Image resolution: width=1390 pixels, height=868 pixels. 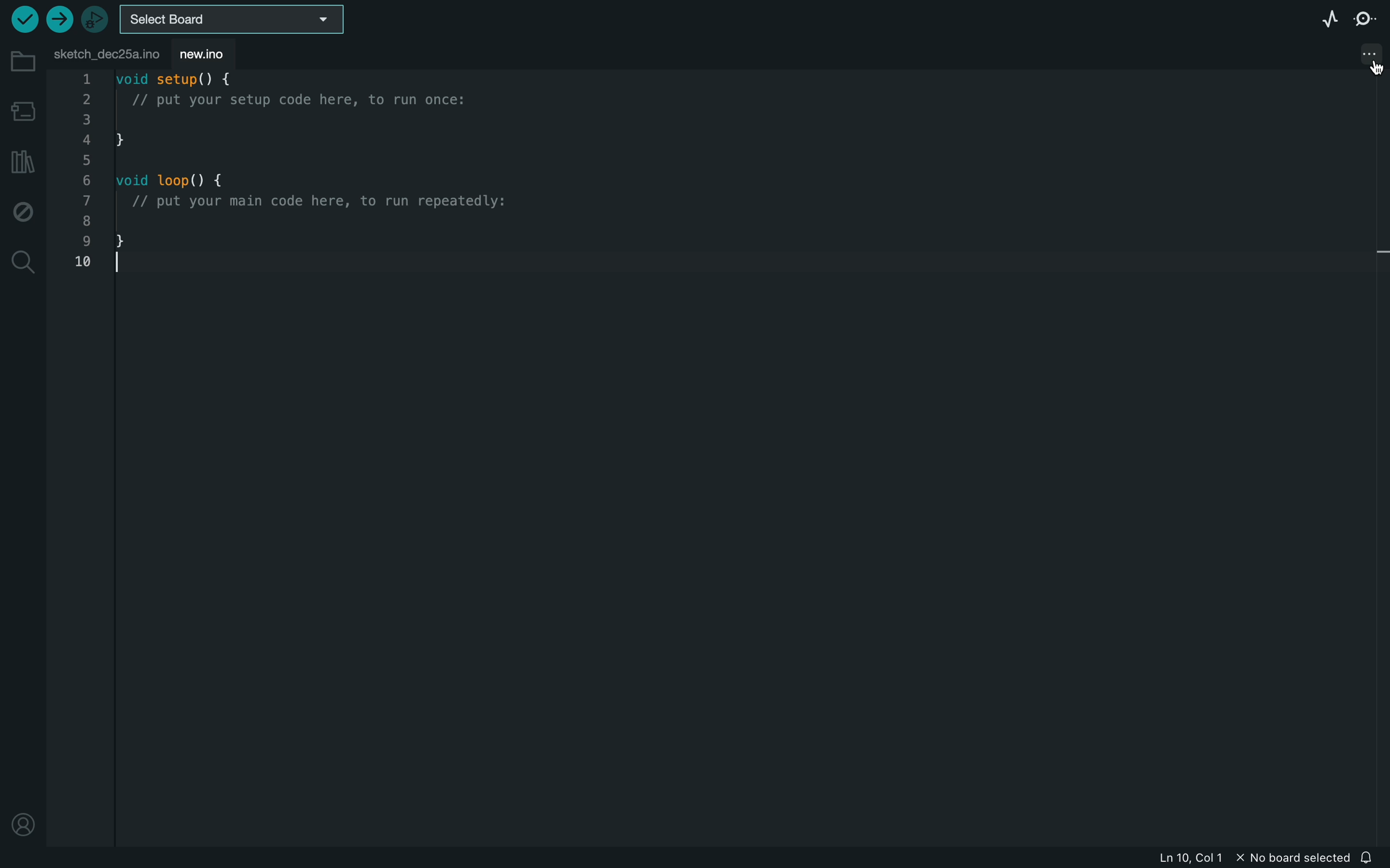 I want to click on upload, so click(x=59, y=19).